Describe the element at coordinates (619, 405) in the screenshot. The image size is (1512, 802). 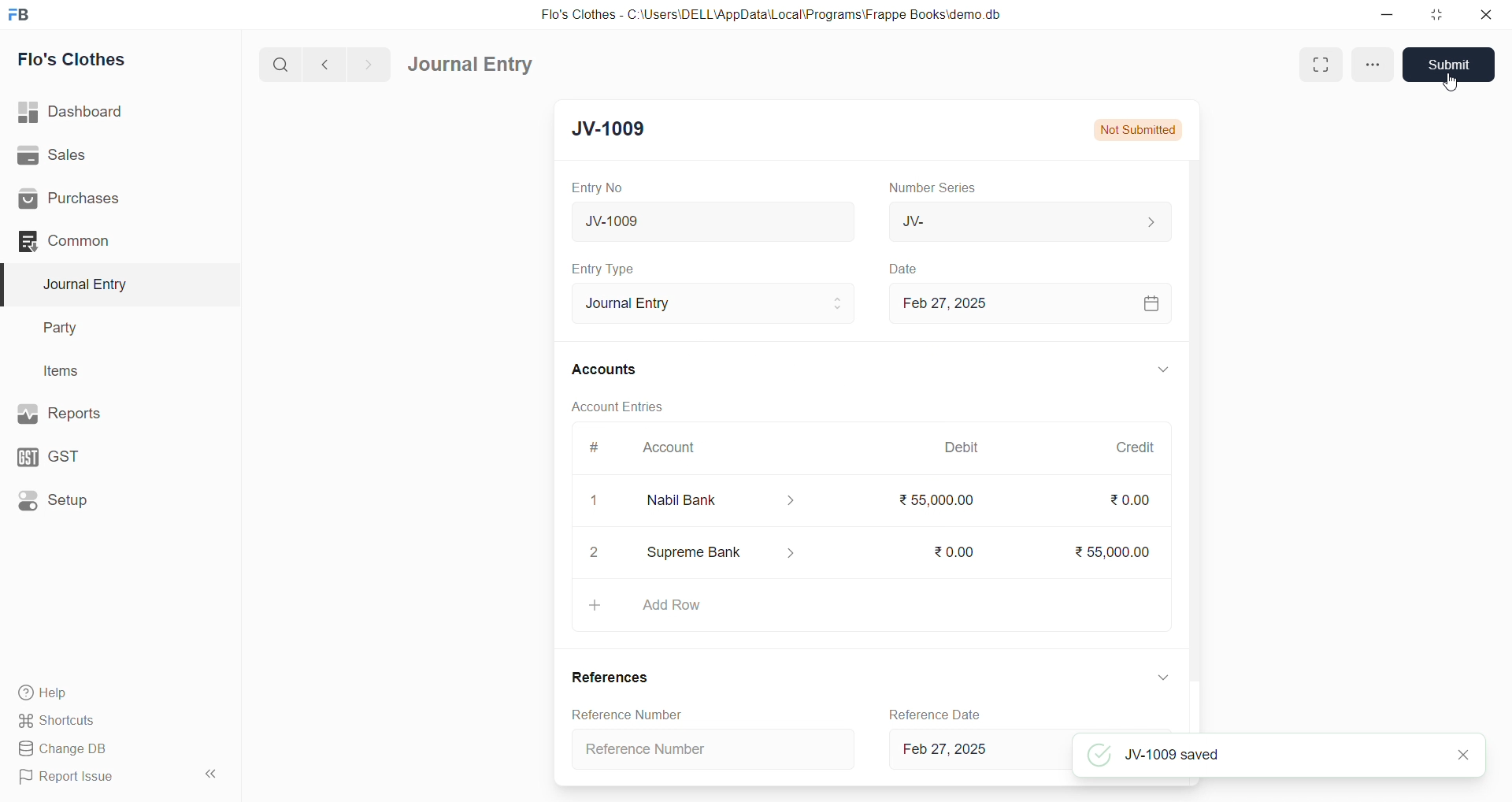
I see `Account Entries` at that location.